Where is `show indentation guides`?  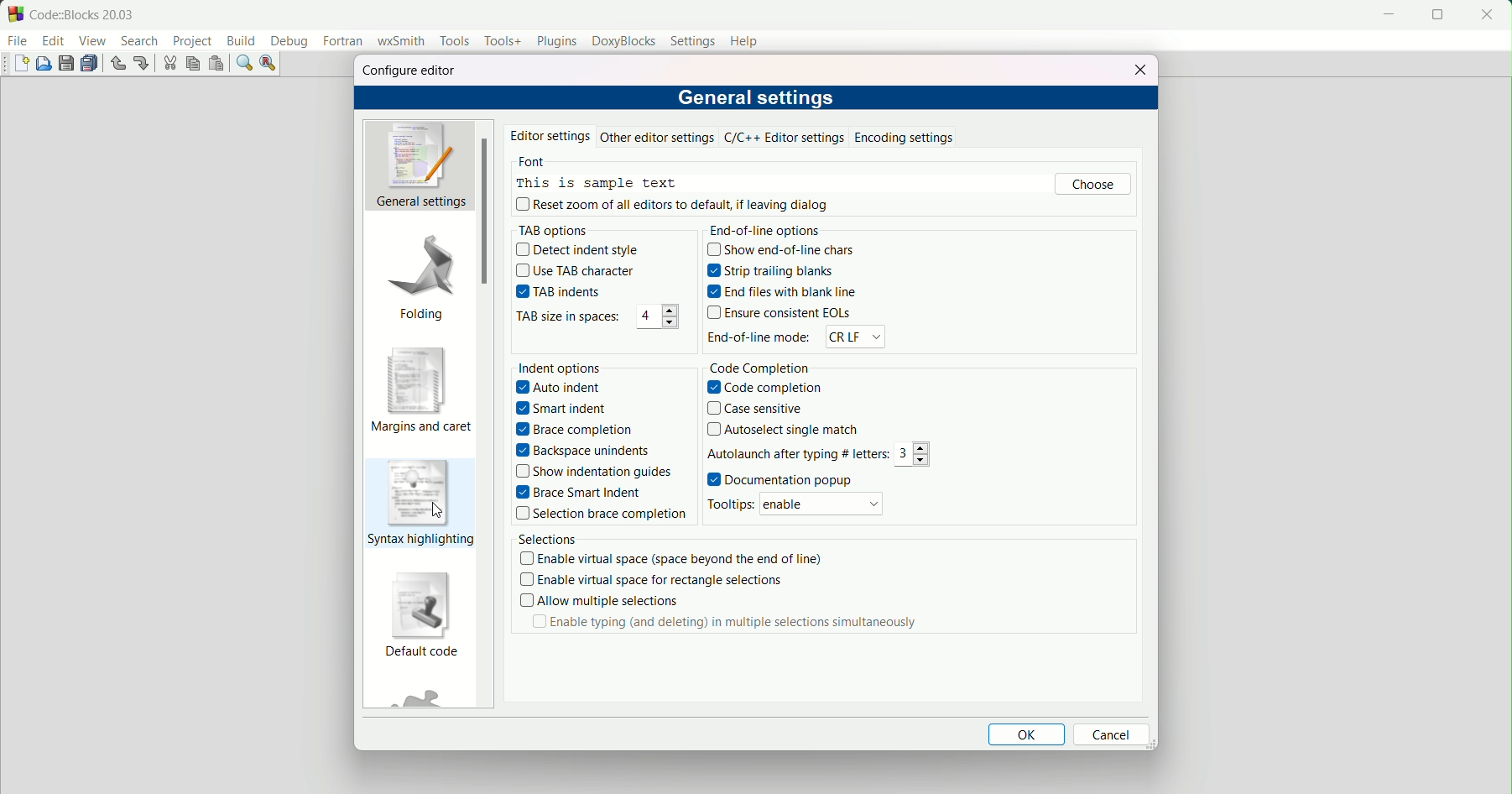
show indentation guides is located at coordinates (594, 472).